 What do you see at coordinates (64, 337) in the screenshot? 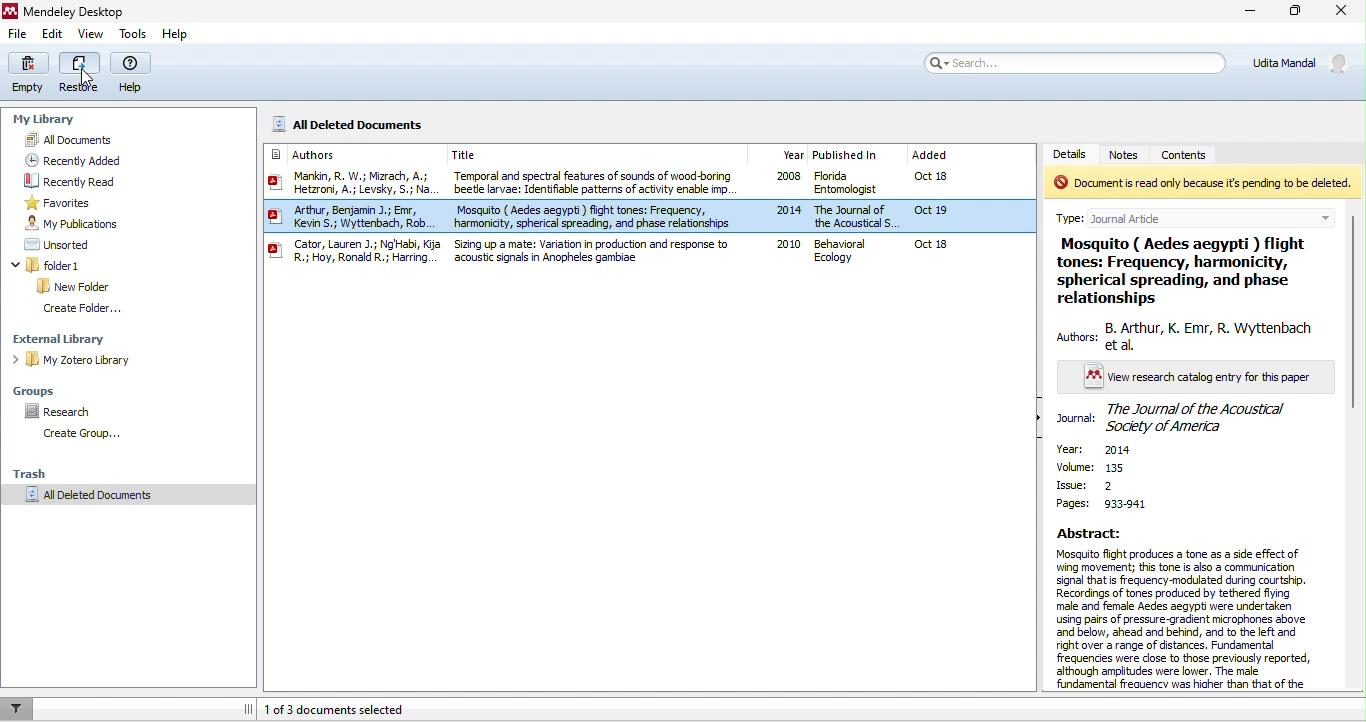
I see `external library` at bounding box center [64, 337].